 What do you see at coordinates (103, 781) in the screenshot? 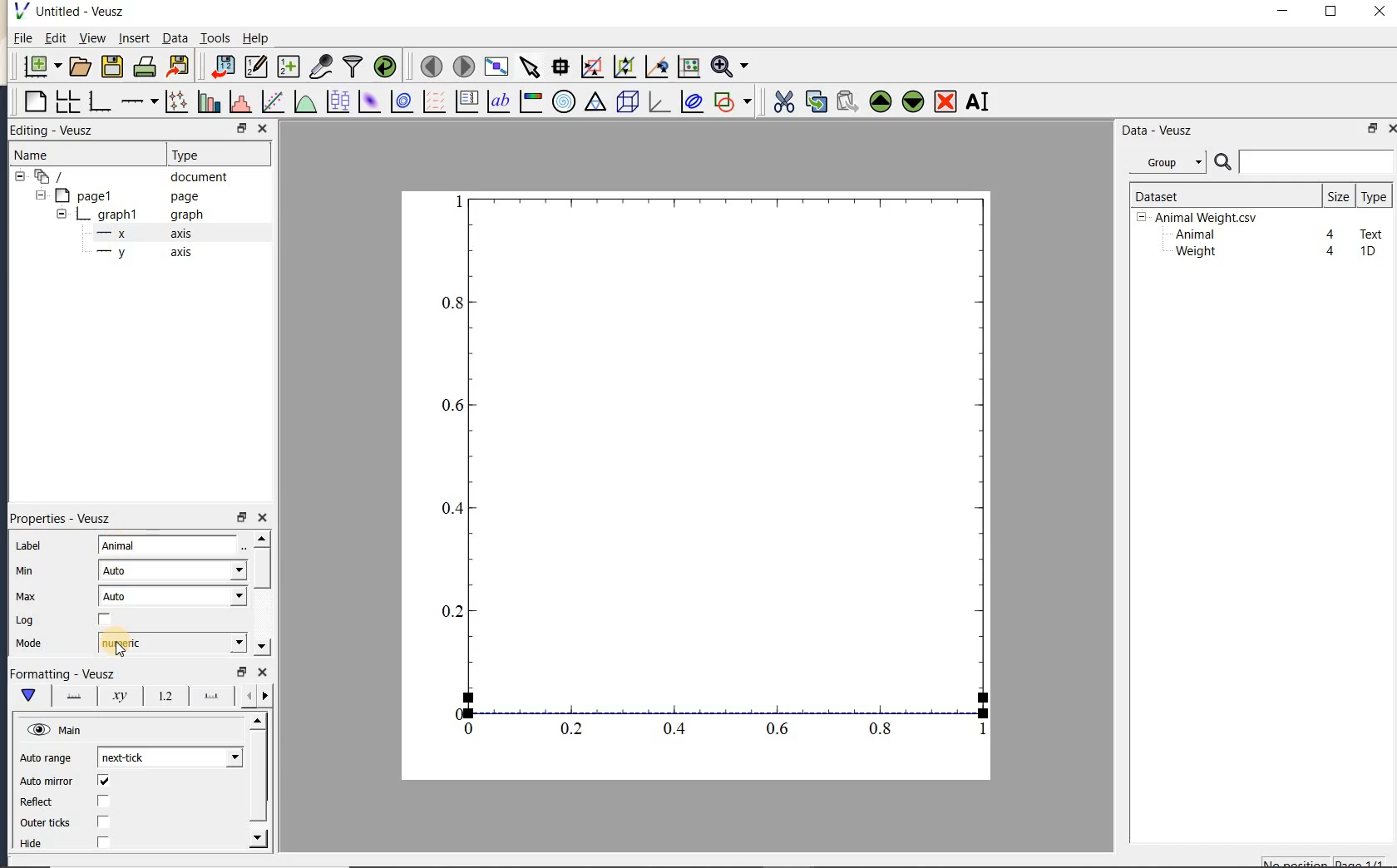
I see `check/uncheck` at bounding box center [103, 781].